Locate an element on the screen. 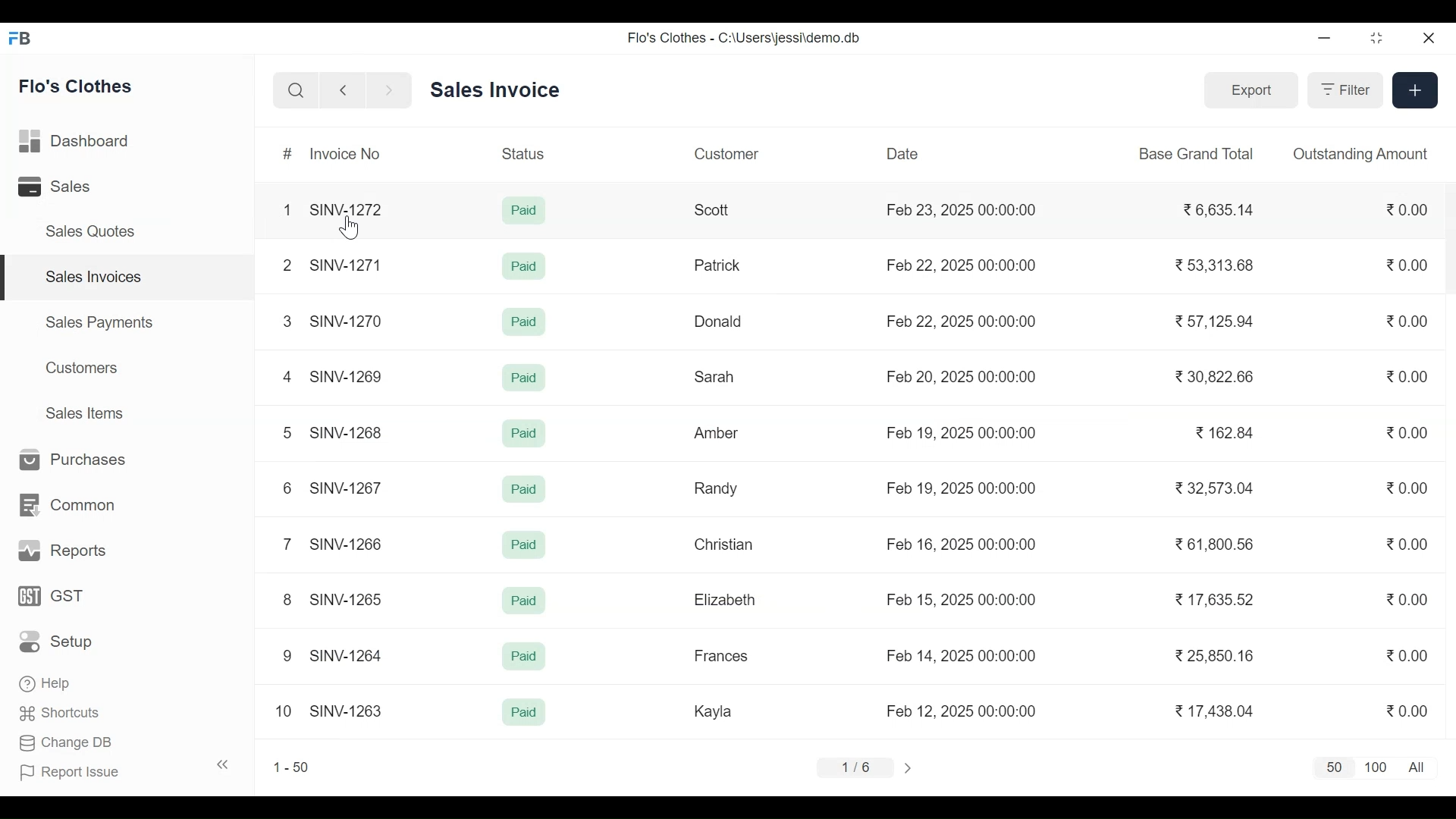  Filter is located at coordinates (1350, 90).